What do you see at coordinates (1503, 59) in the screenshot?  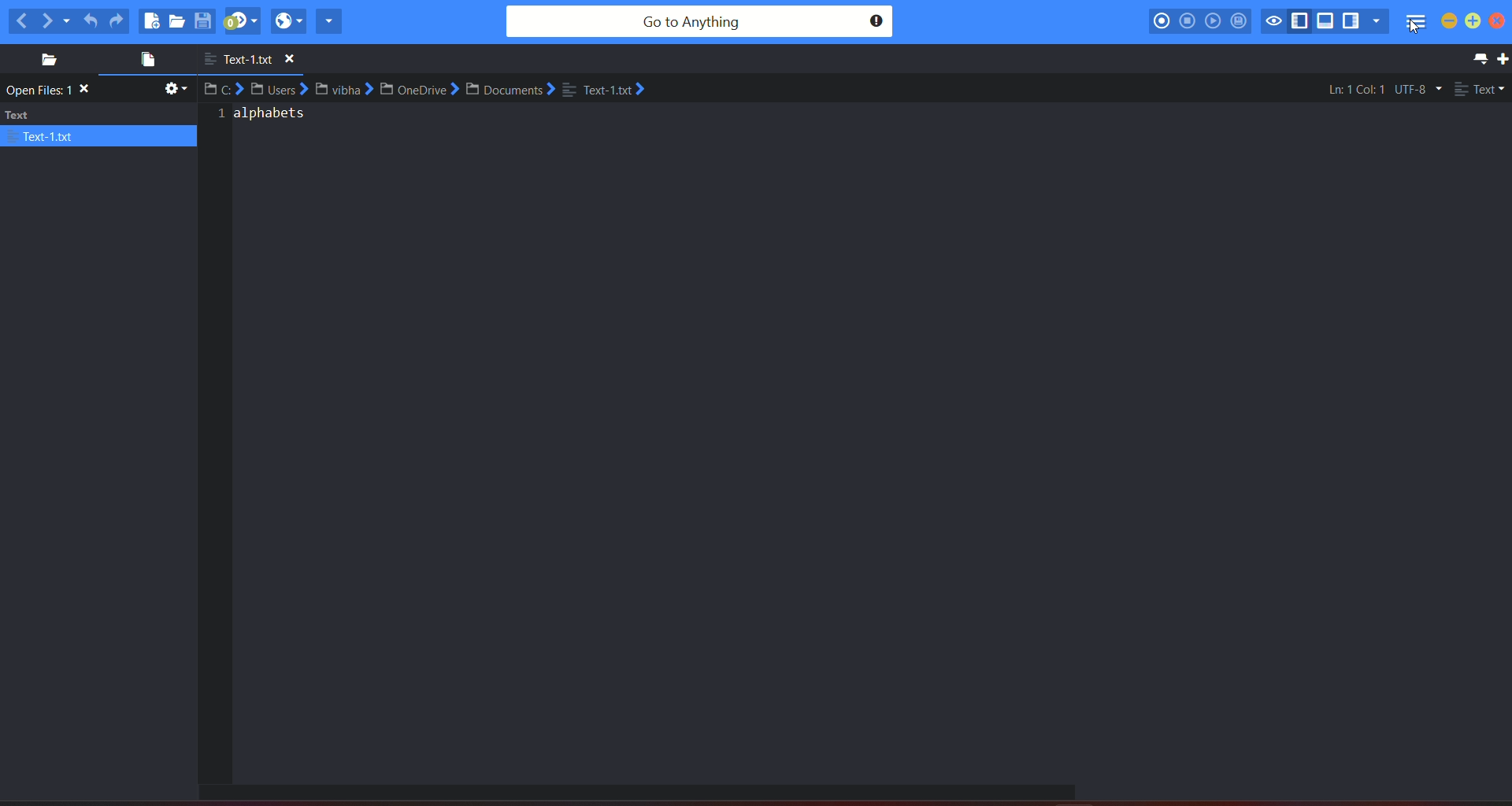 I see `new tab` at bounding box center [1503, 59].